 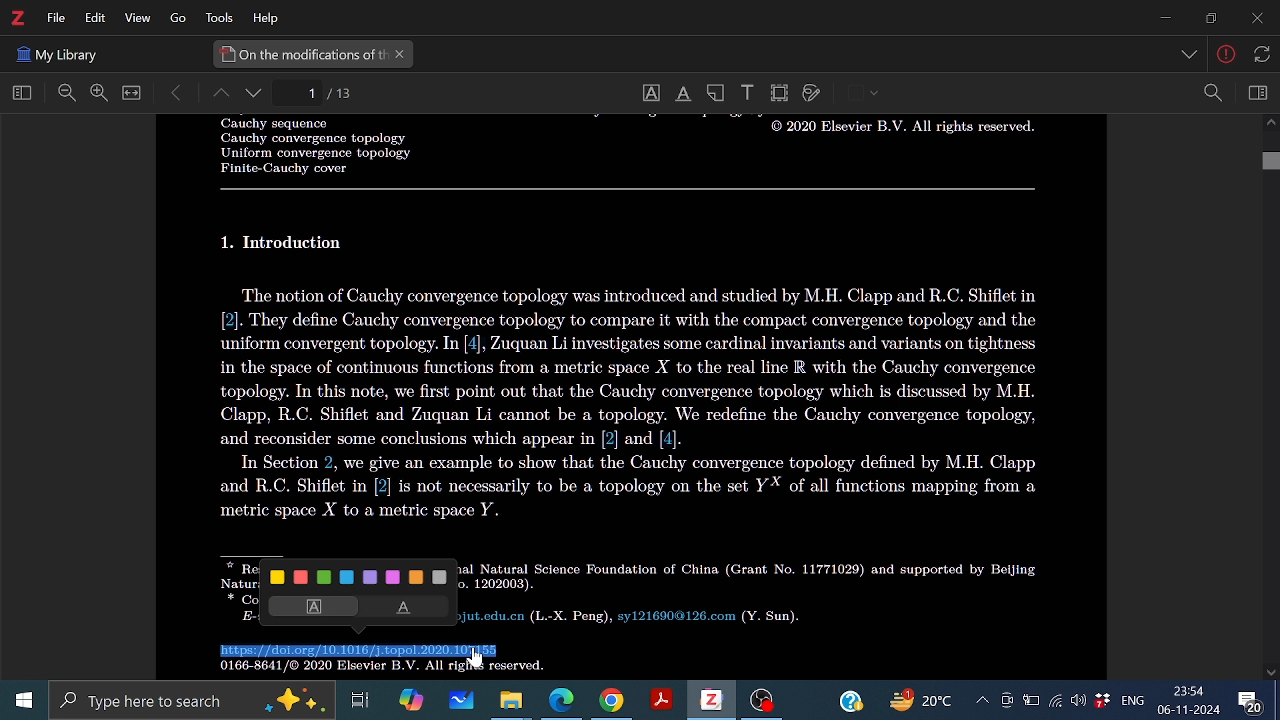 I want to click on Type here to serach, so click(x=190, y=701).